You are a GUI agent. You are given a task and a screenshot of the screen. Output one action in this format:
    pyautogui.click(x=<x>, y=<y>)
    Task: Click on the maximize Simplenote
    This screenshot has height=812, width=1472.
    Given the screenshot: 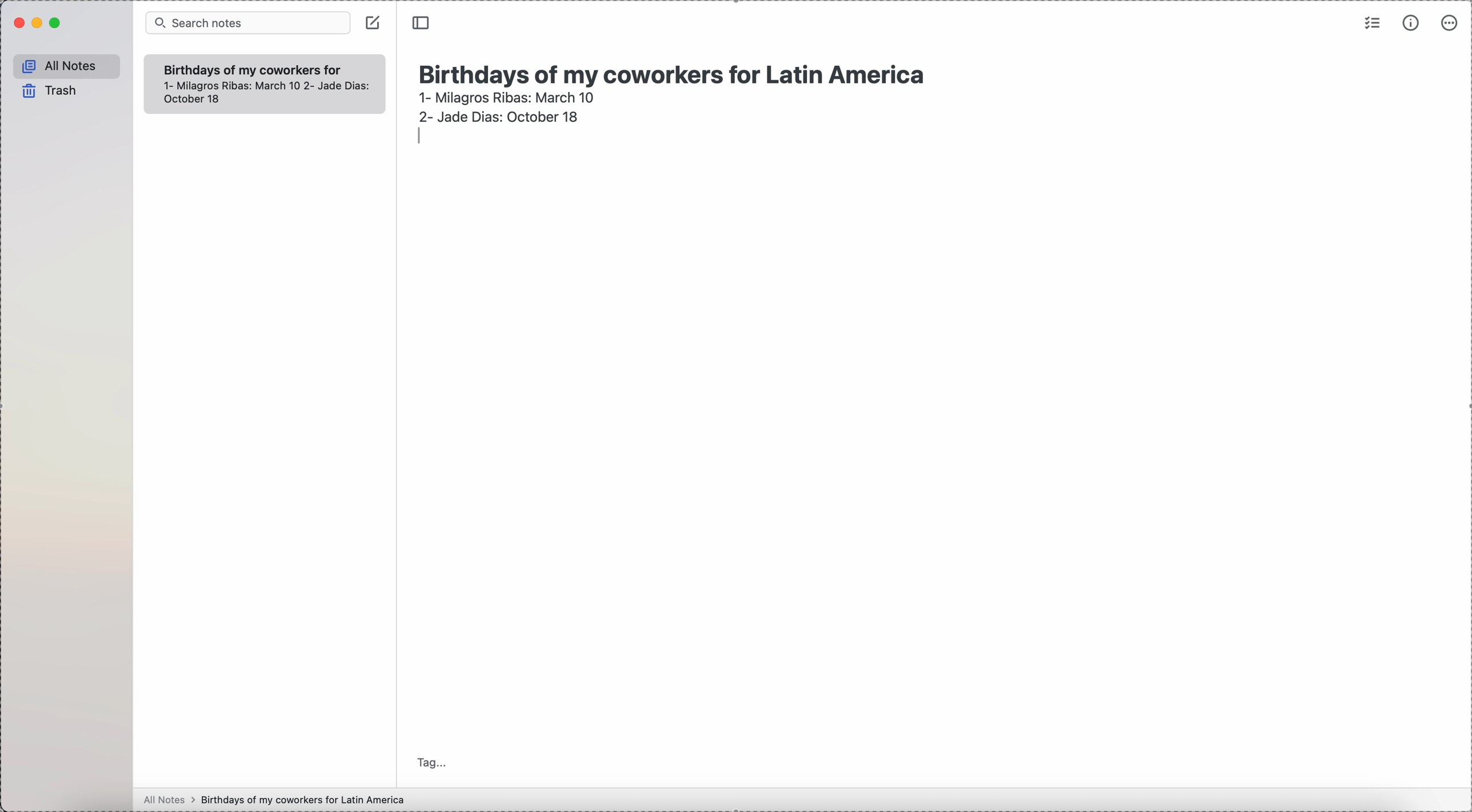 What is the action you would take?
    pyautogui.click(x=56, y=23)
    